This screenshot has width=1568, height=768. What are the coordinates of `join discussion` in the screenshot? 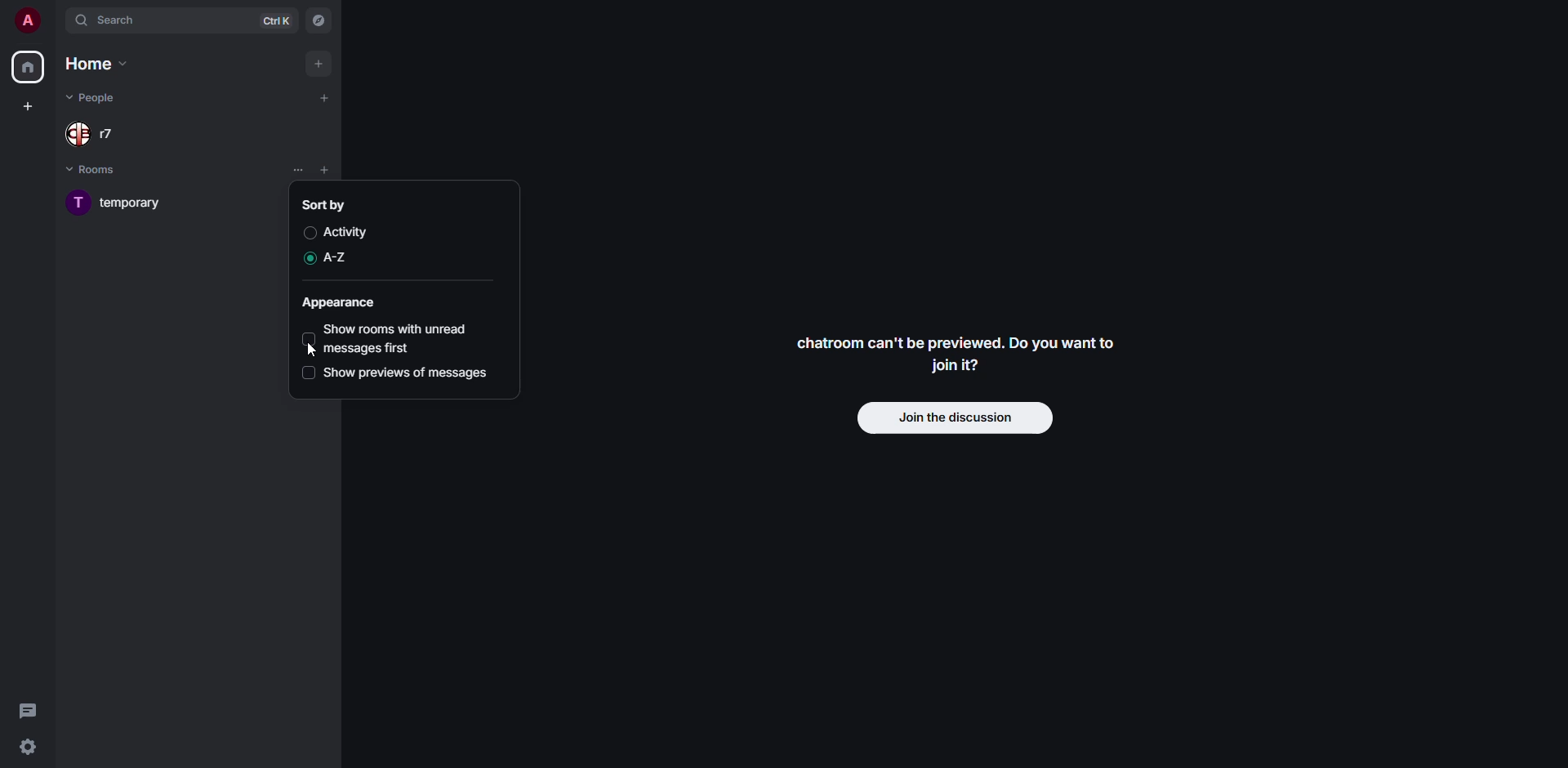 It's located at (956, 417).